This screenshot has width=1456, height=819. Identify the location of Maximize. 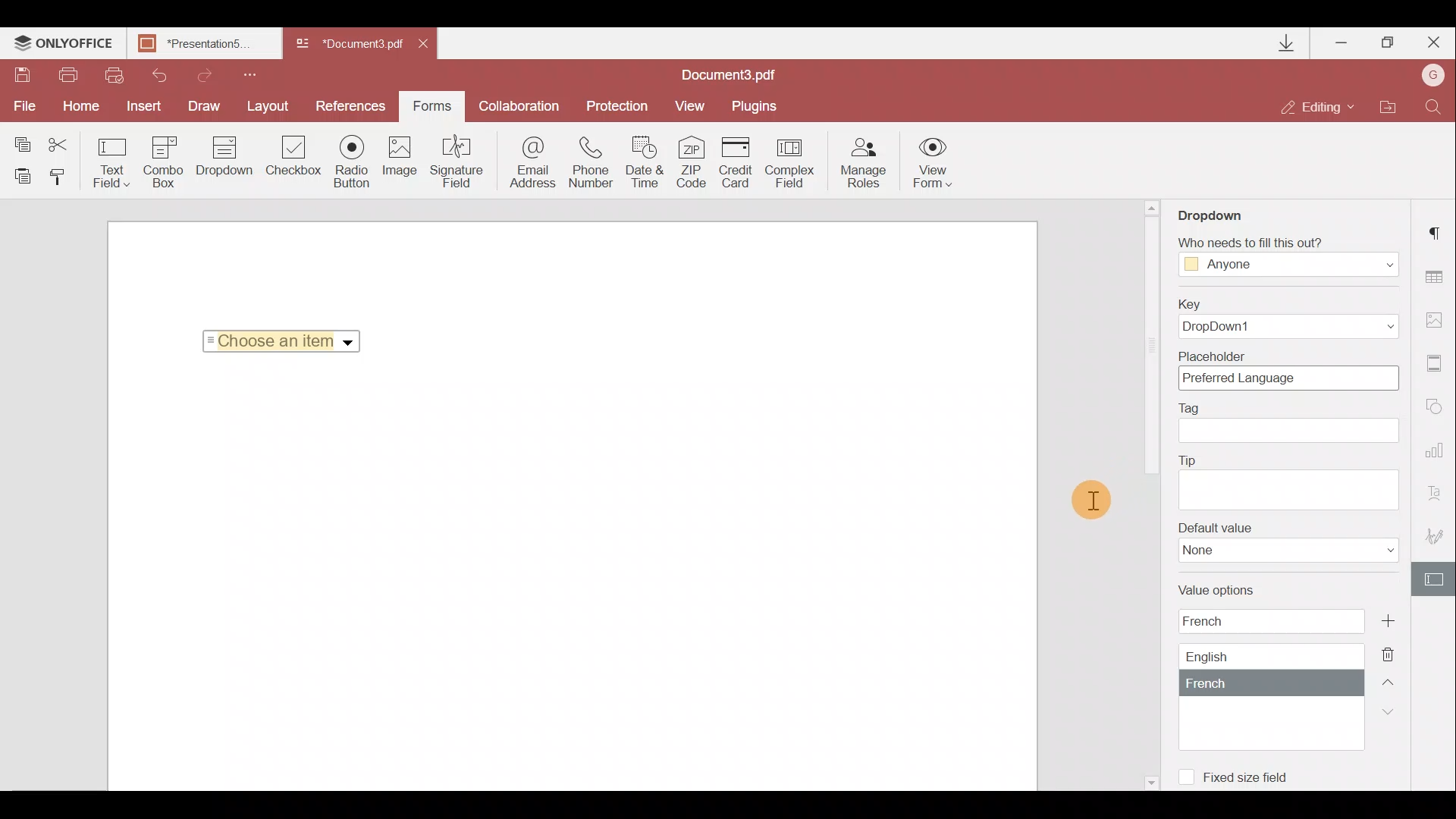
(1389, 42).